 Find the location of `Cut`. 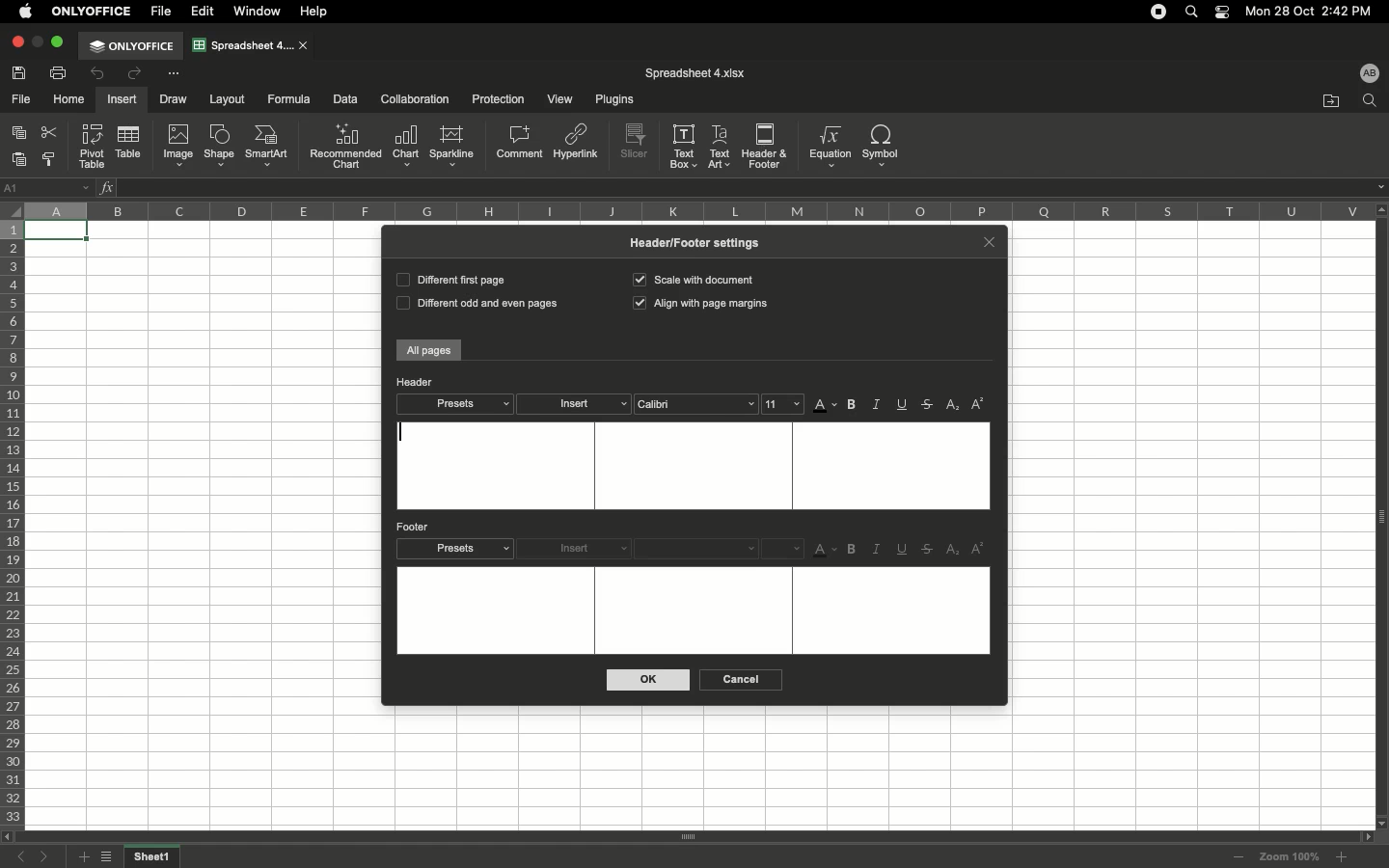

Cut is located at coordinates (51, 132).